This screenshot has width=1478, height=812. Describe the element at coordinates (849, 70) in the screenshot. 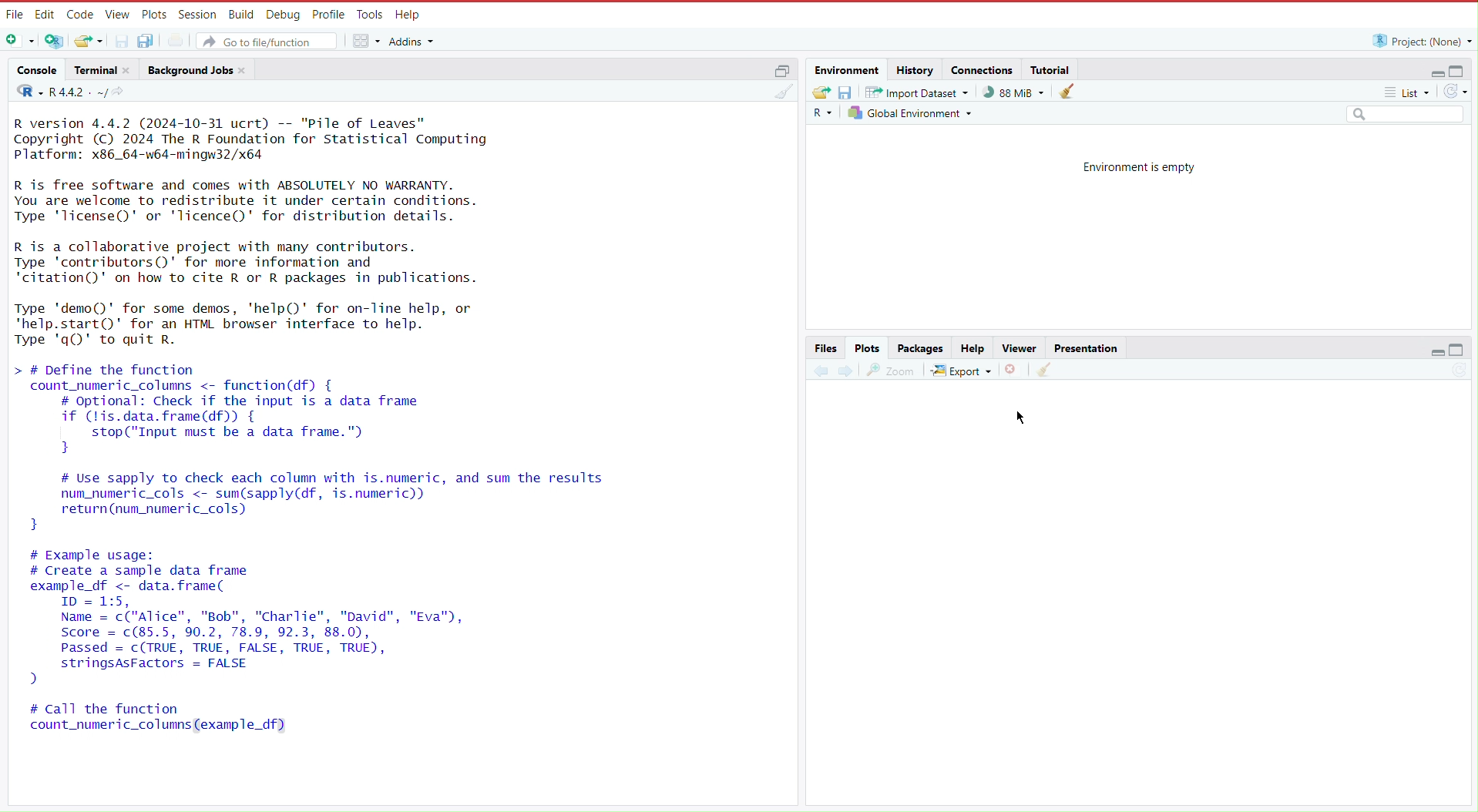

I see `Environment` at that location.